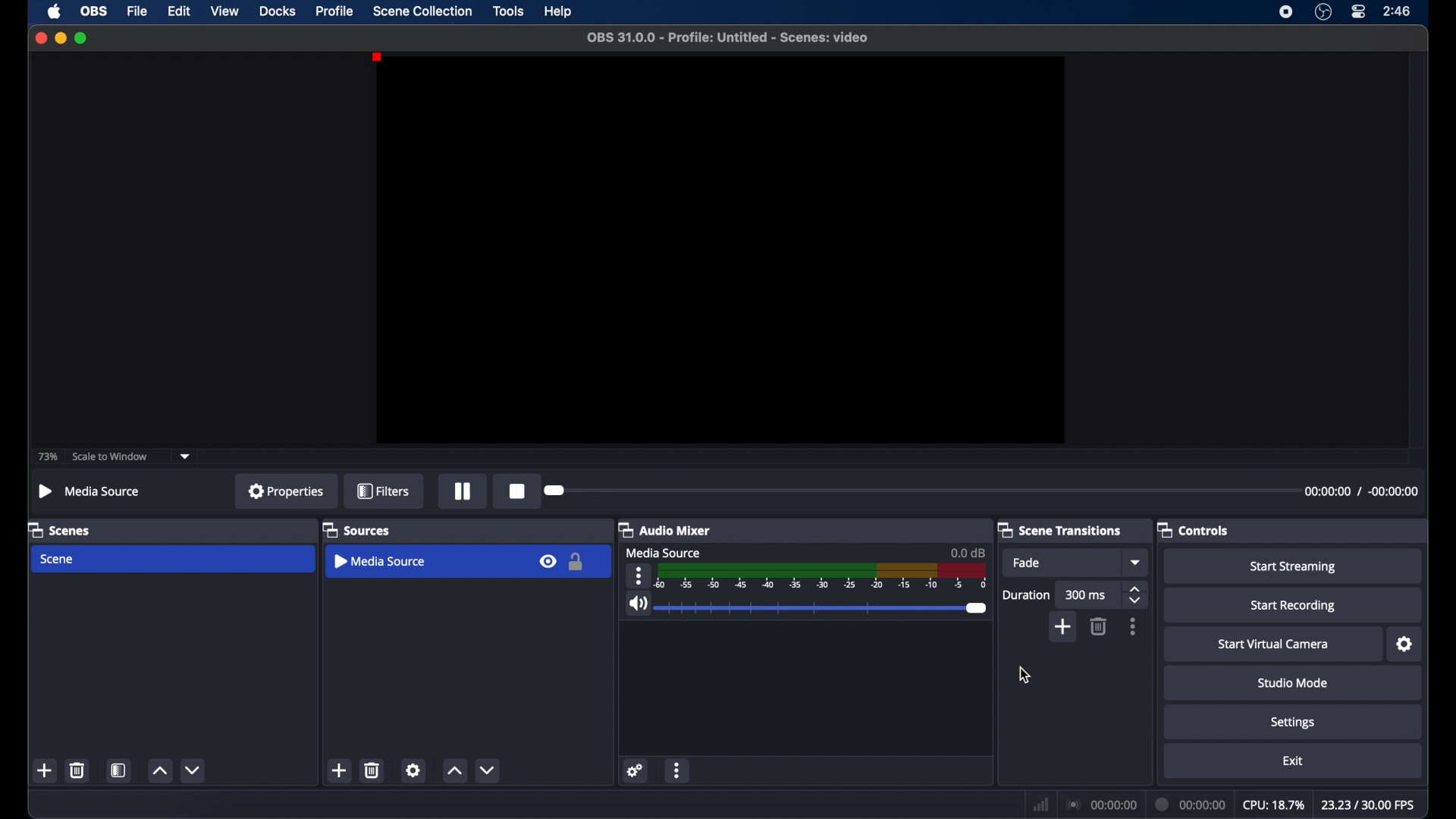 The image size is (1456, 819). What do you see at coordinates (727, 37) in the screenshot?
I see `file name` at bounding box center [727, 37].